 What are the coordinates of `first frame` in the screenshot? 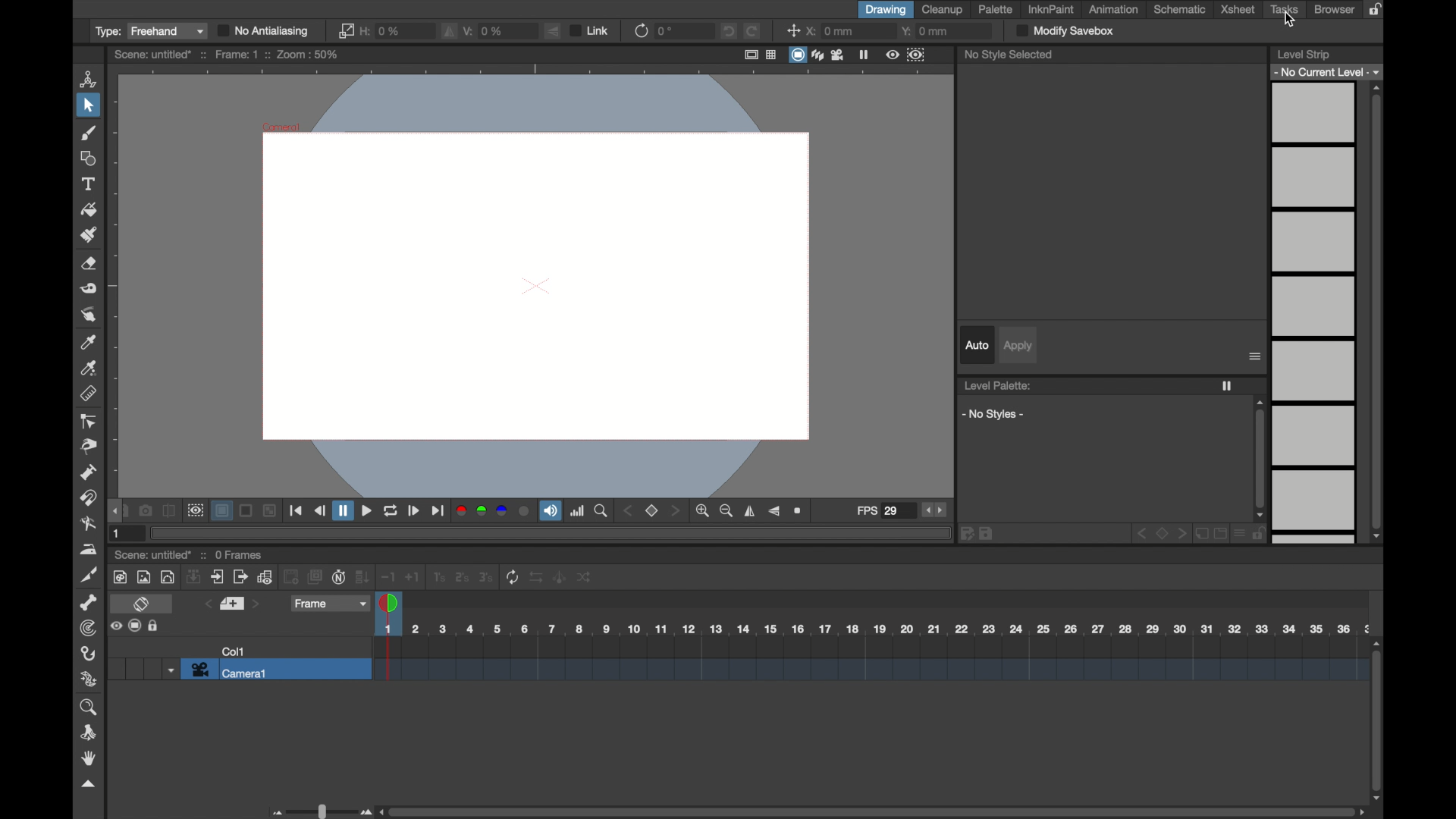 It's located at (296, 512).